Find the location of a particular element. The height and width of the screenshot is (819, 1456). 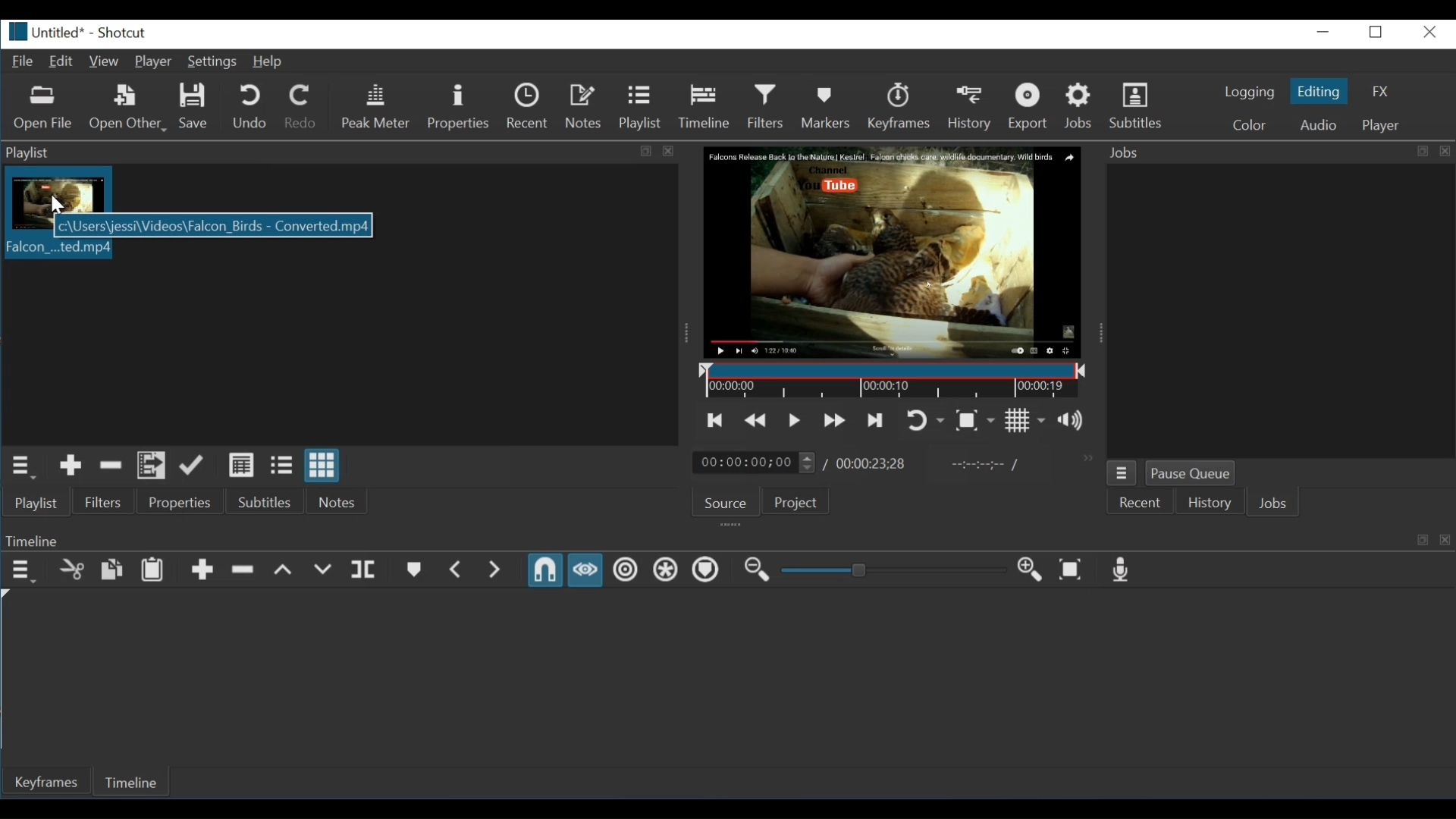

Audio is located at coordinates (1317, 124).